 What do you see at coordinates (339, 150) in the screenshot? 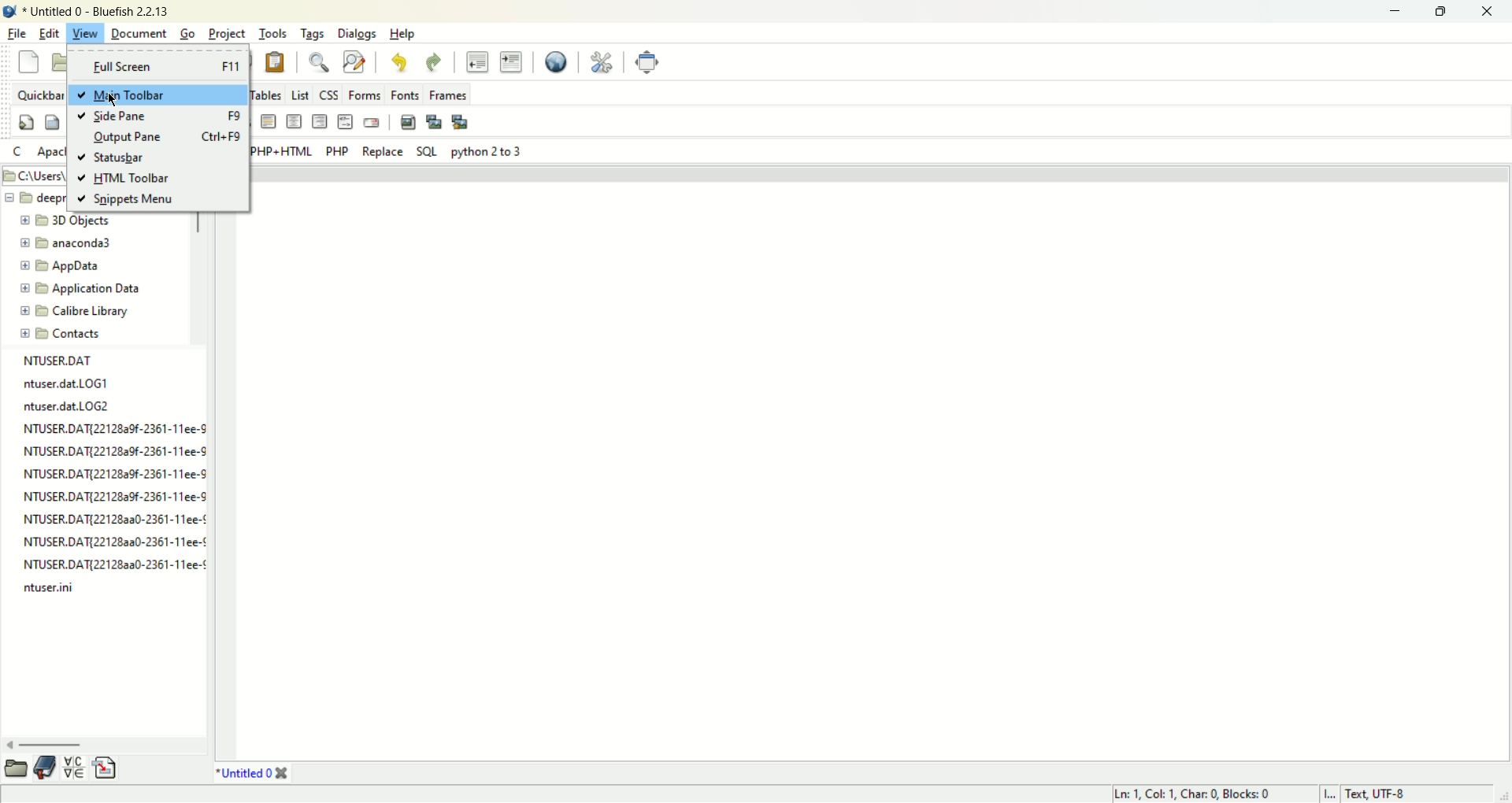
I see `PHP` at bounding box center [339, 150].